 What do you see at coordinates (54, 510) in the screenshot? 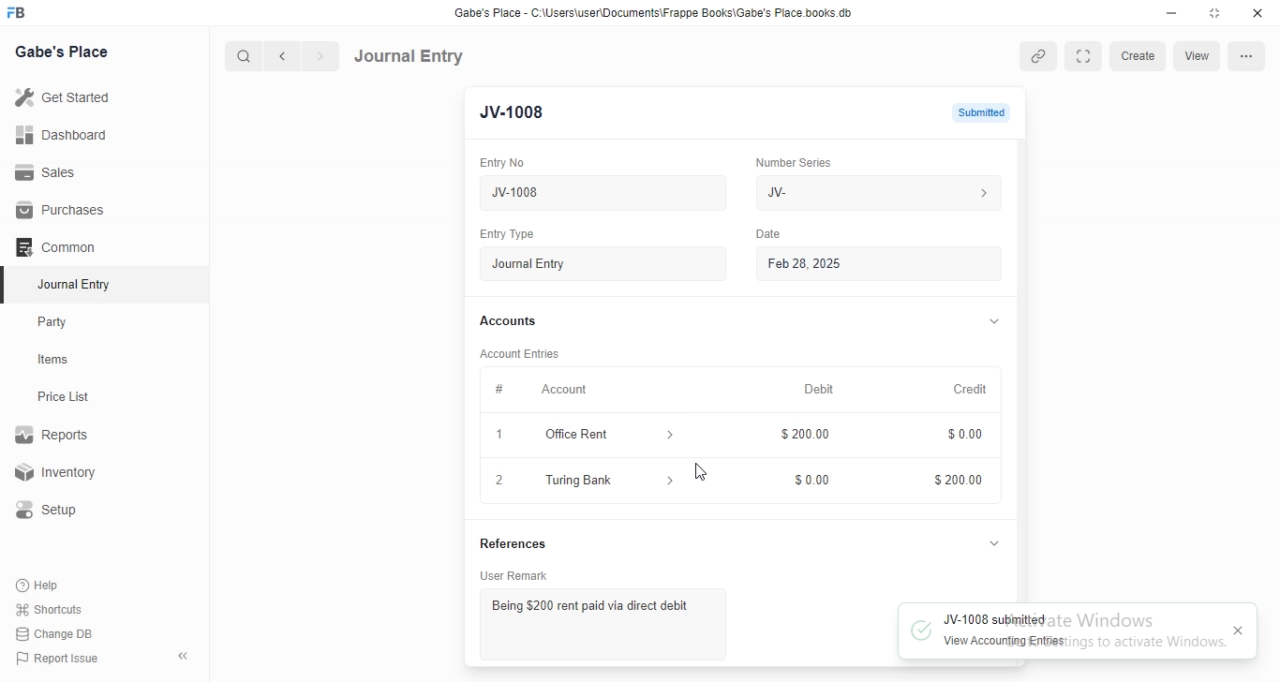
I see `Setup` at bounding box center [54, 510].